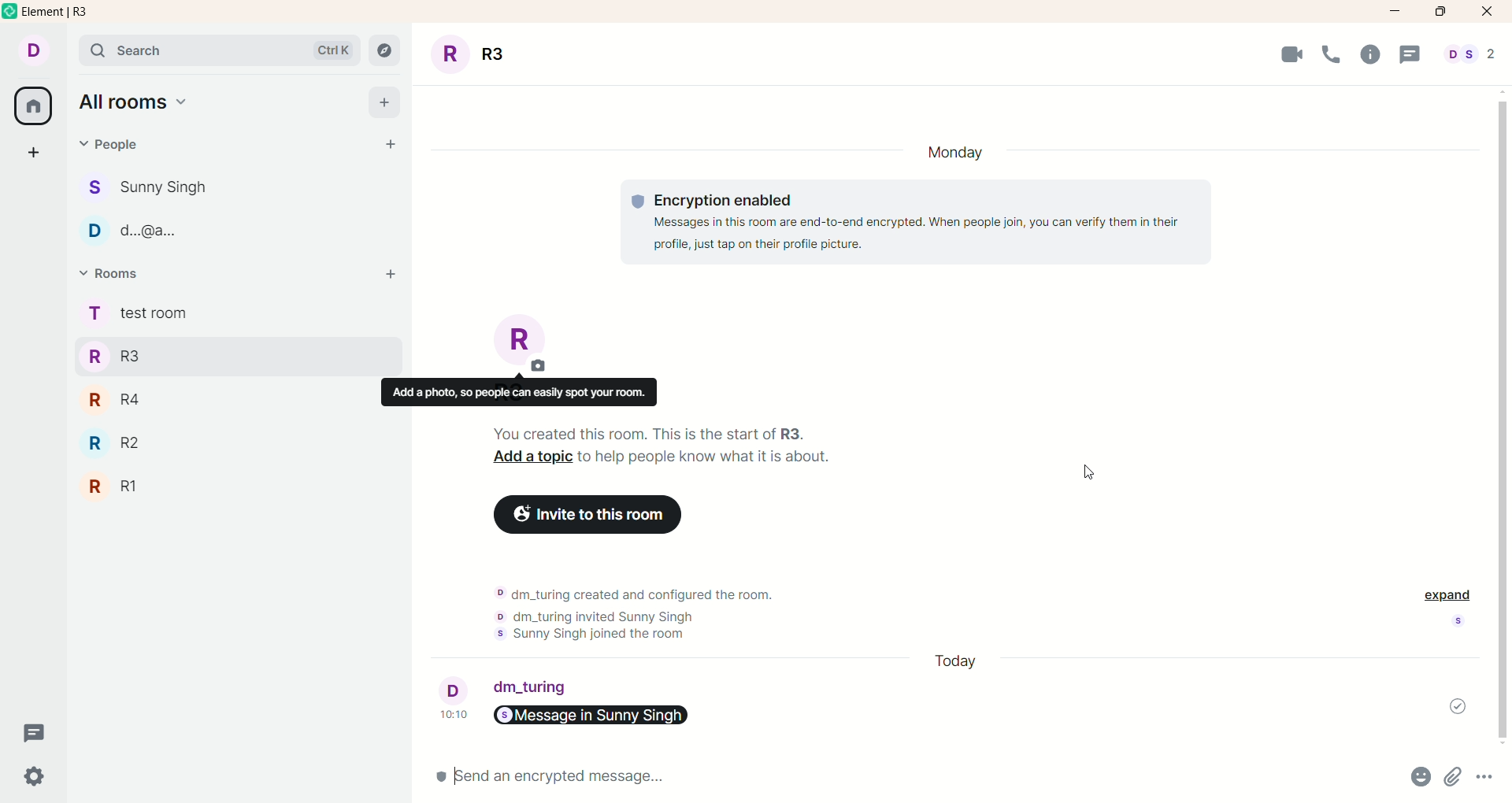  Describe the element at coordinates (169, 185) in the screenshot. I see `people` at that location.